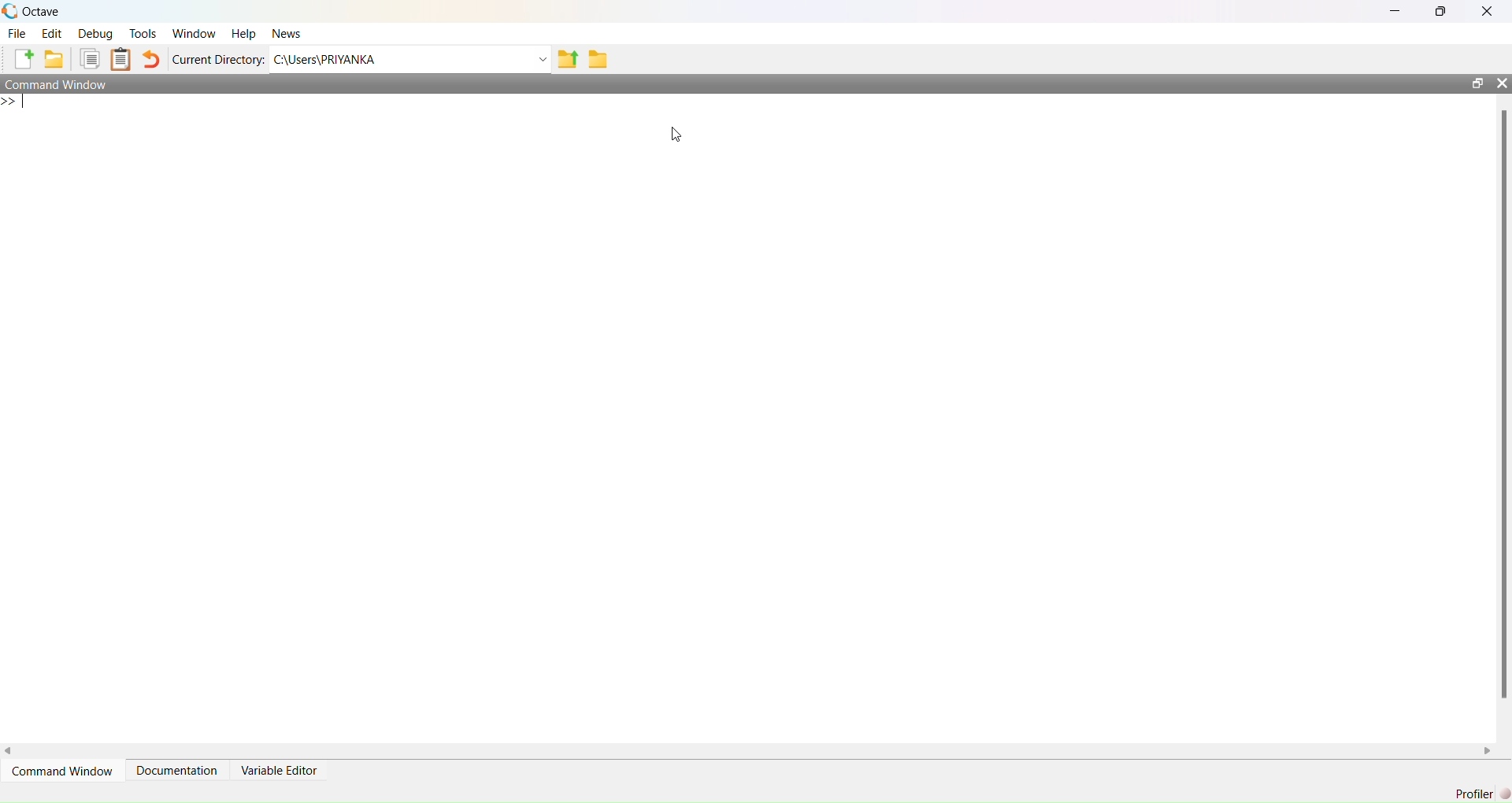 The image size is (1512, 803). I want to click on copy, so click(89, 59).